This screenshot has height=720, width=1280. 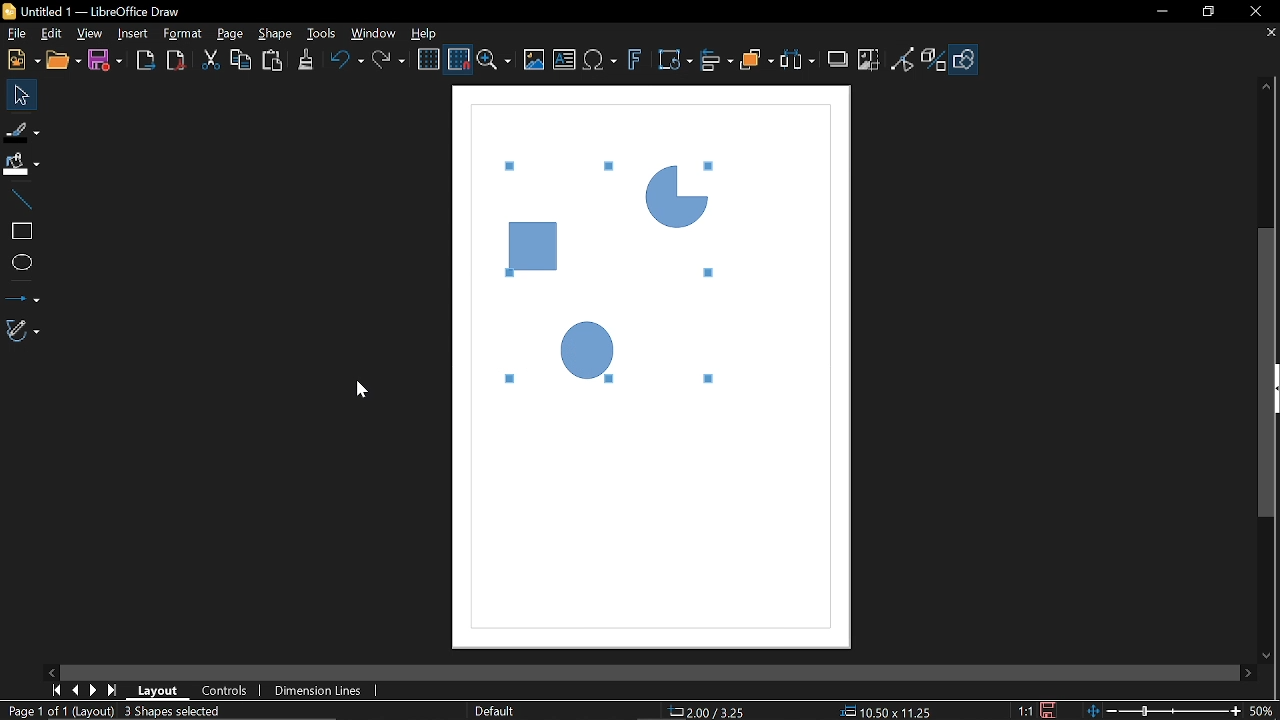 What do you see at coordinates (493, 711) in the screenshot?
I see `Slide master name` at bounding box center [493, 711].